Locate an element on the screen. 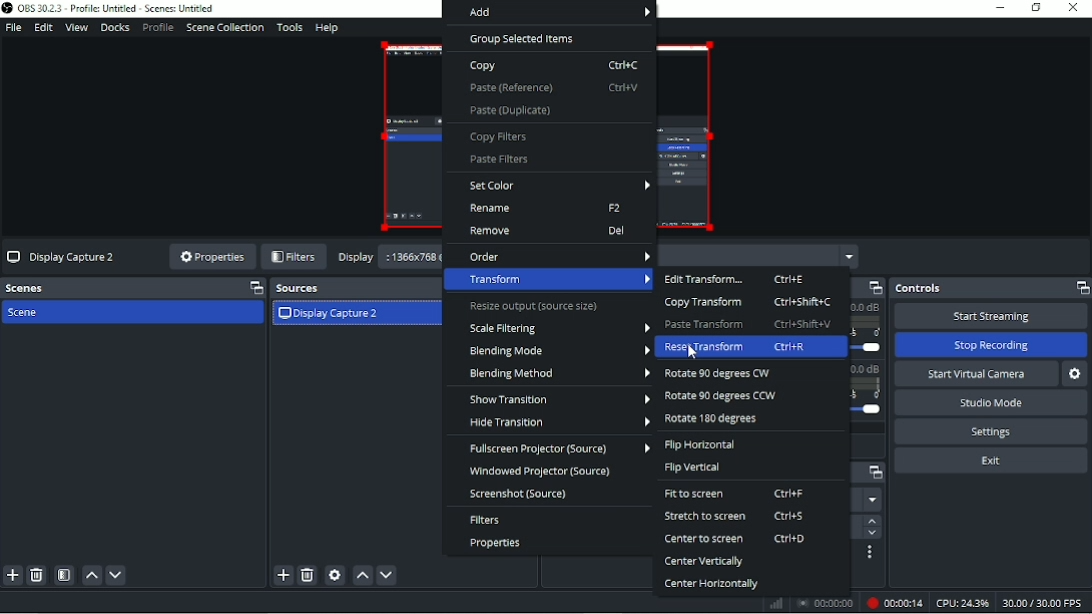  Stretch to screen is located at coordinates (737, 516).